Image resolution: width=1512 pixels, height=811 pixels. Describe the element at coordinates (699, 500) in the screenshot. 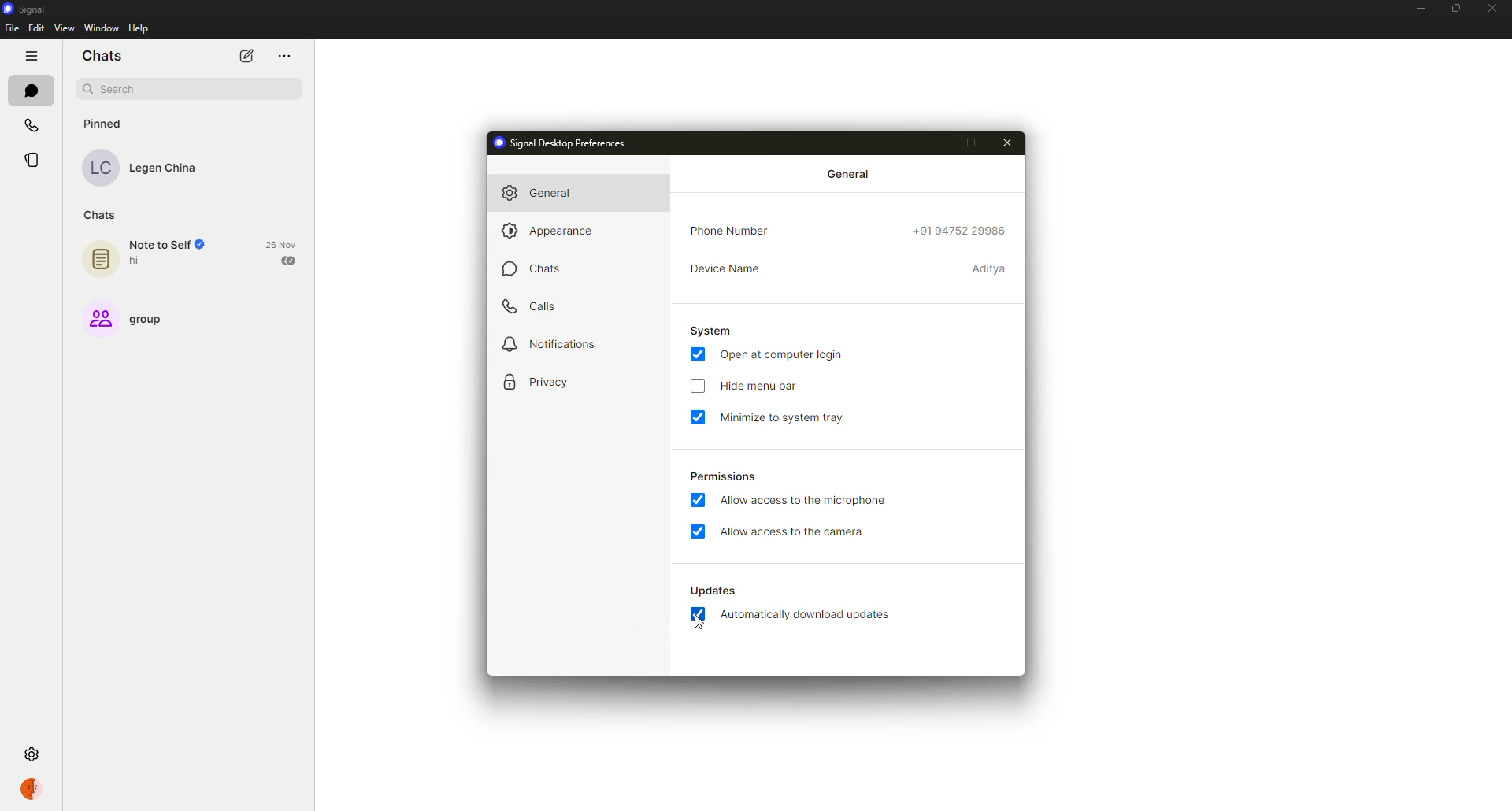

I see `enabled` at that location.